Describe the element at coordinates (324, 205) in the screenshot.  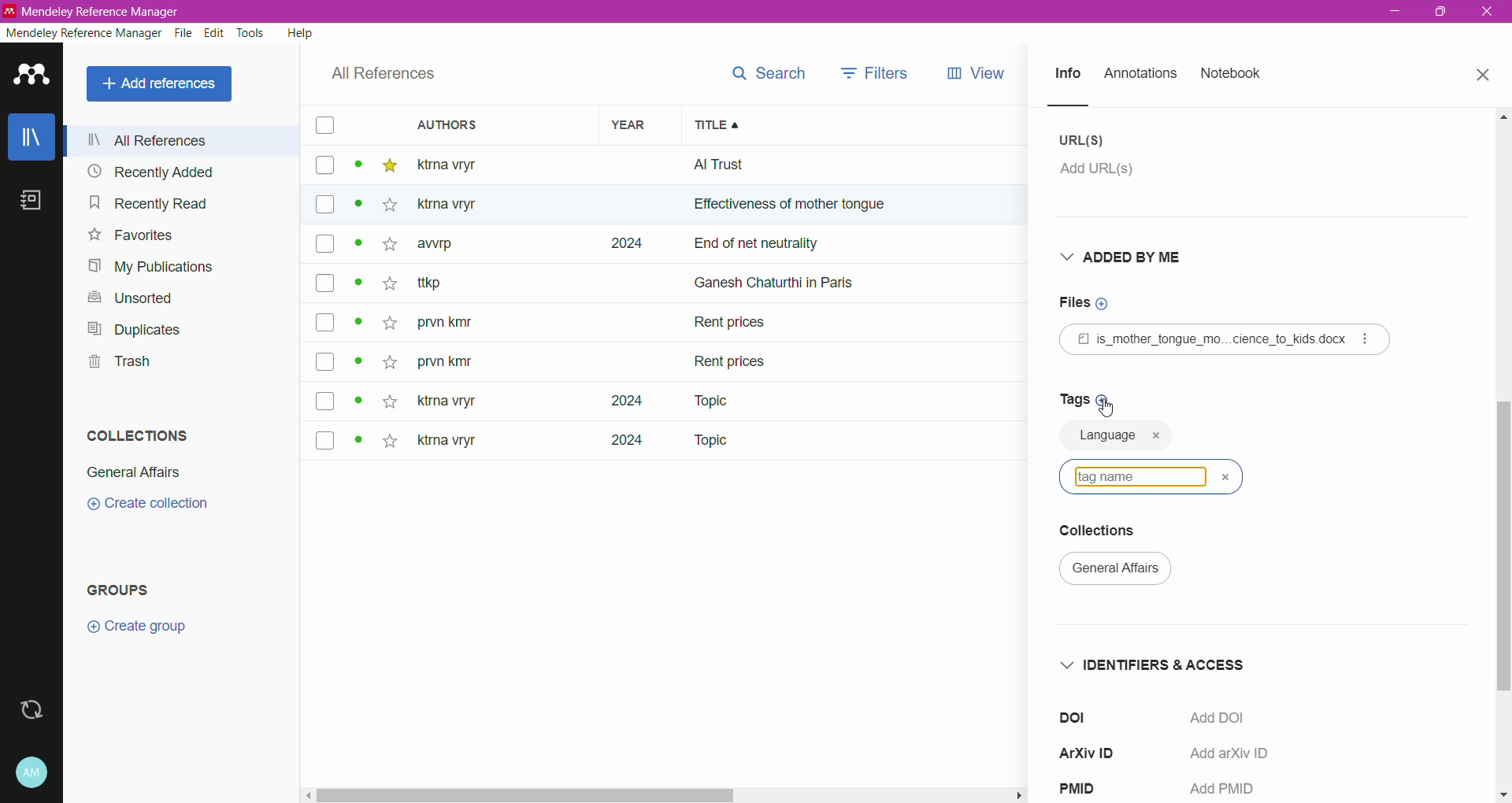
I see `box` at that location.